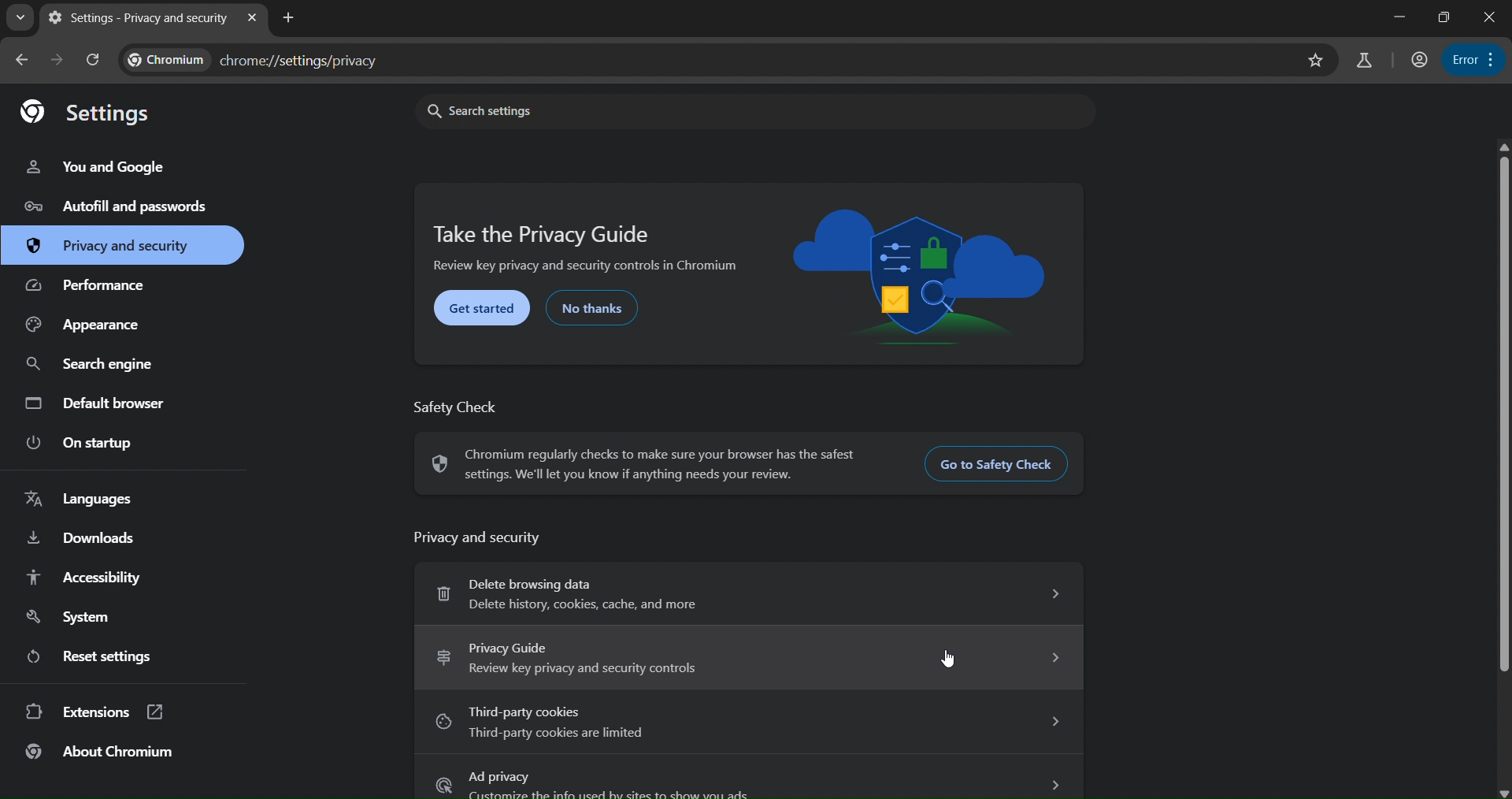 The height and width of the screenshot is (799, 1512). What do you see at coordinates (748, 656) in the screenshot?
I see ` Privacy Guide " NReview key privacy and security controls` at bounding box center [748, 656].